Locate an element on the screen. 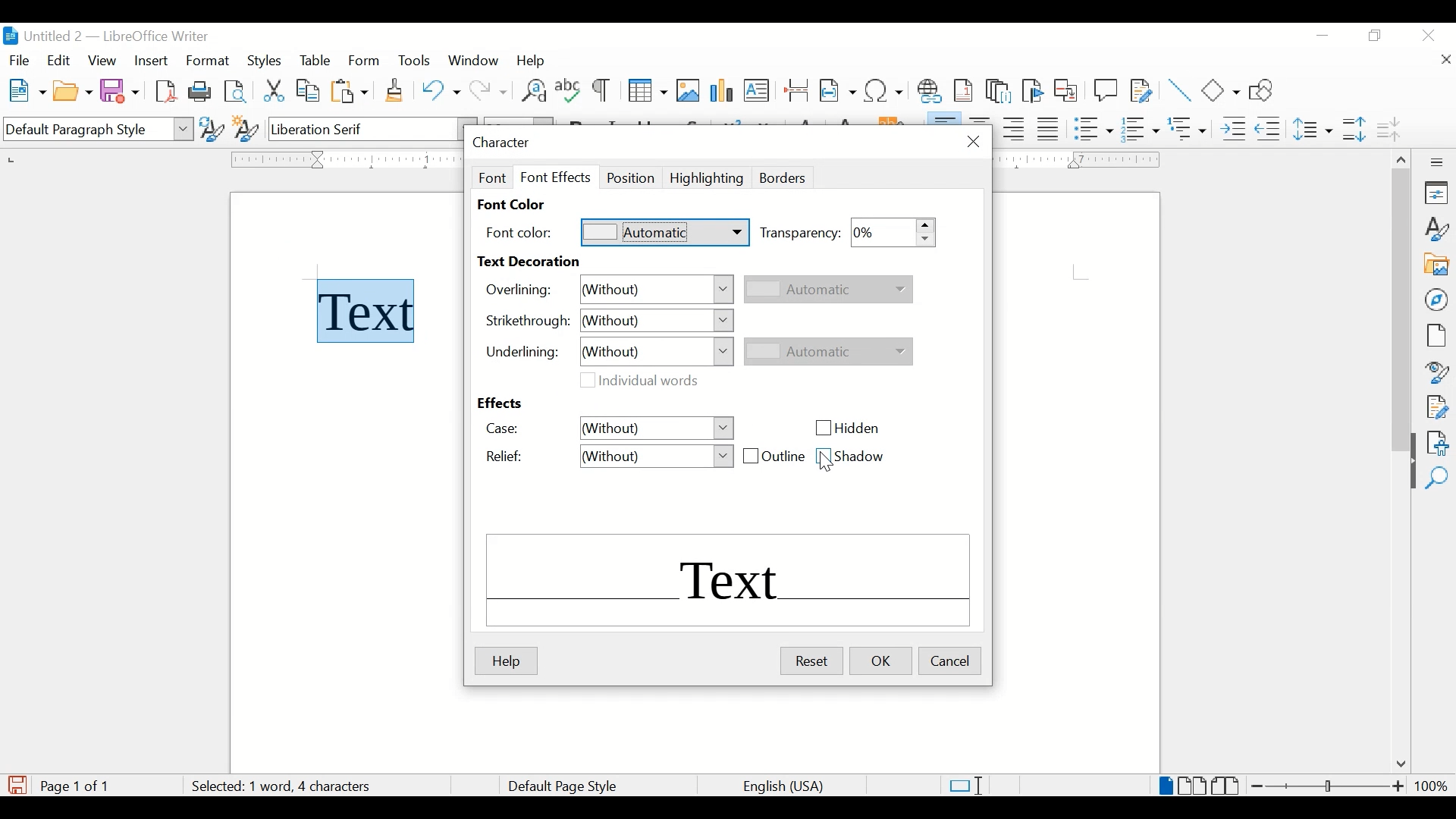 This screenshot has width=1456, height=819. zoom level is located at coordinates (1431, 786).